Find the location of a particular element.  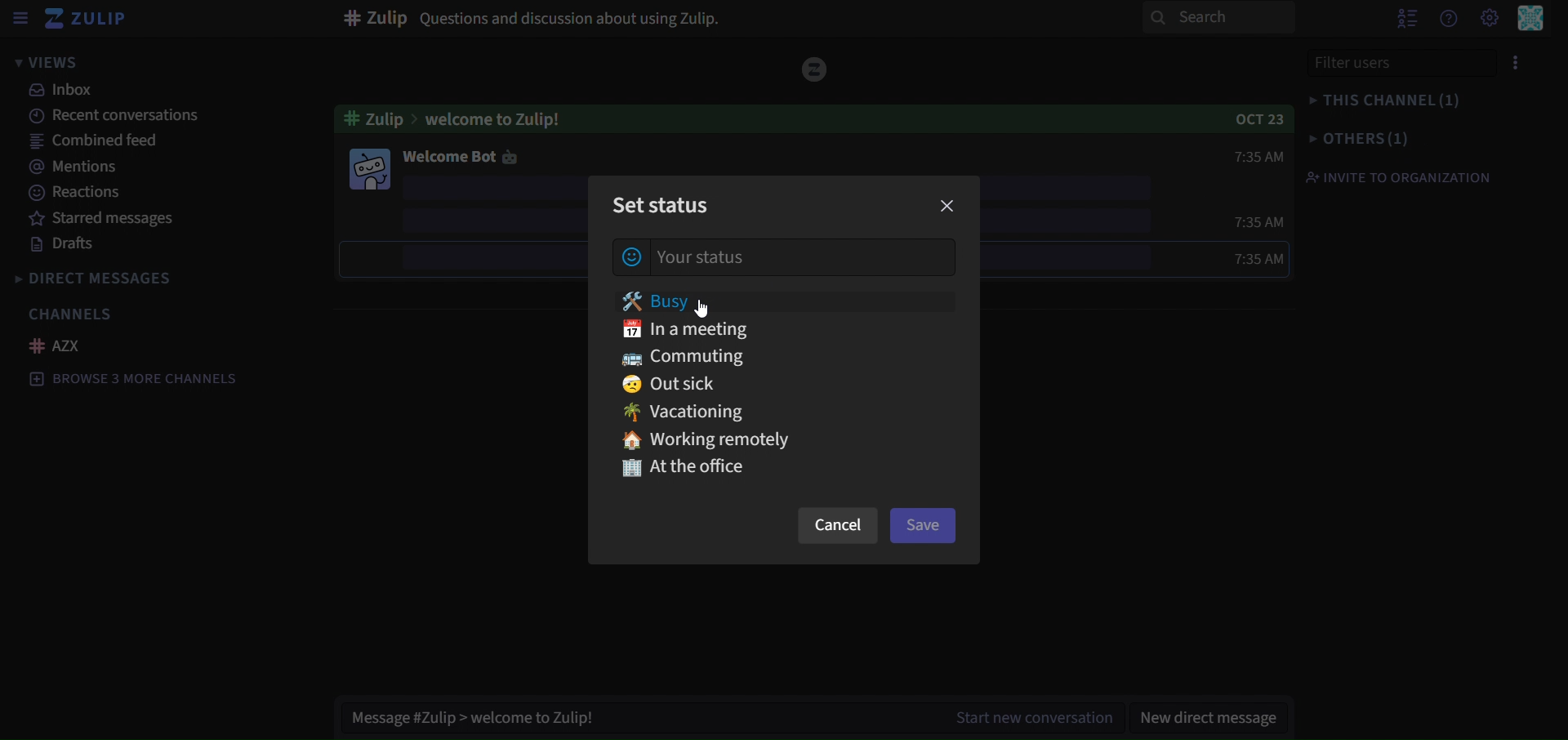

welcome to Zulip is located at coordinates (467, 116).